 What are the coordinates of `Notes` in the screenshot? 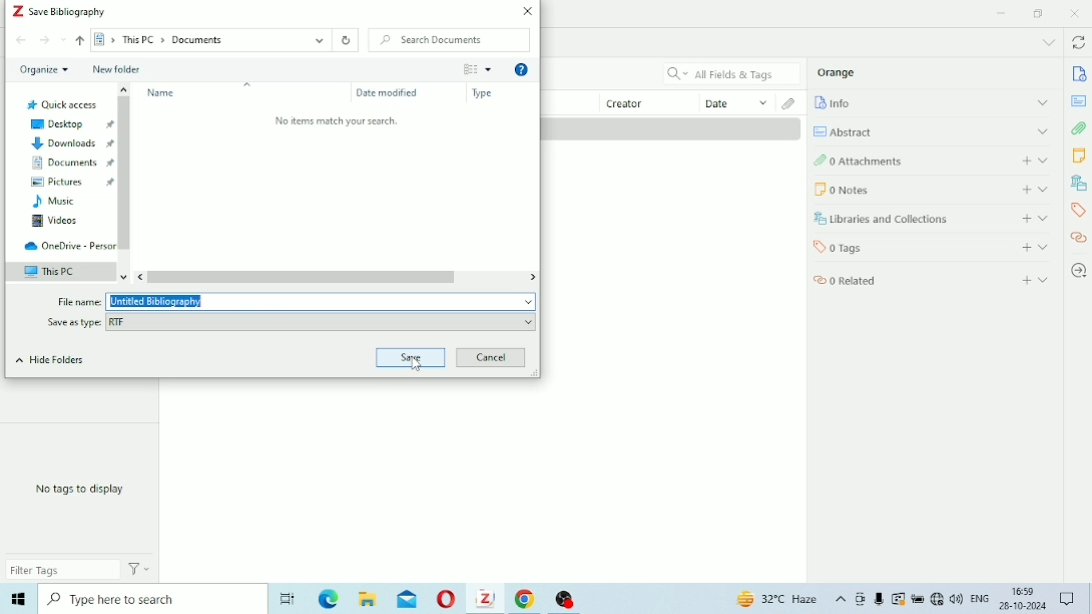 It's located at (1078, 155).